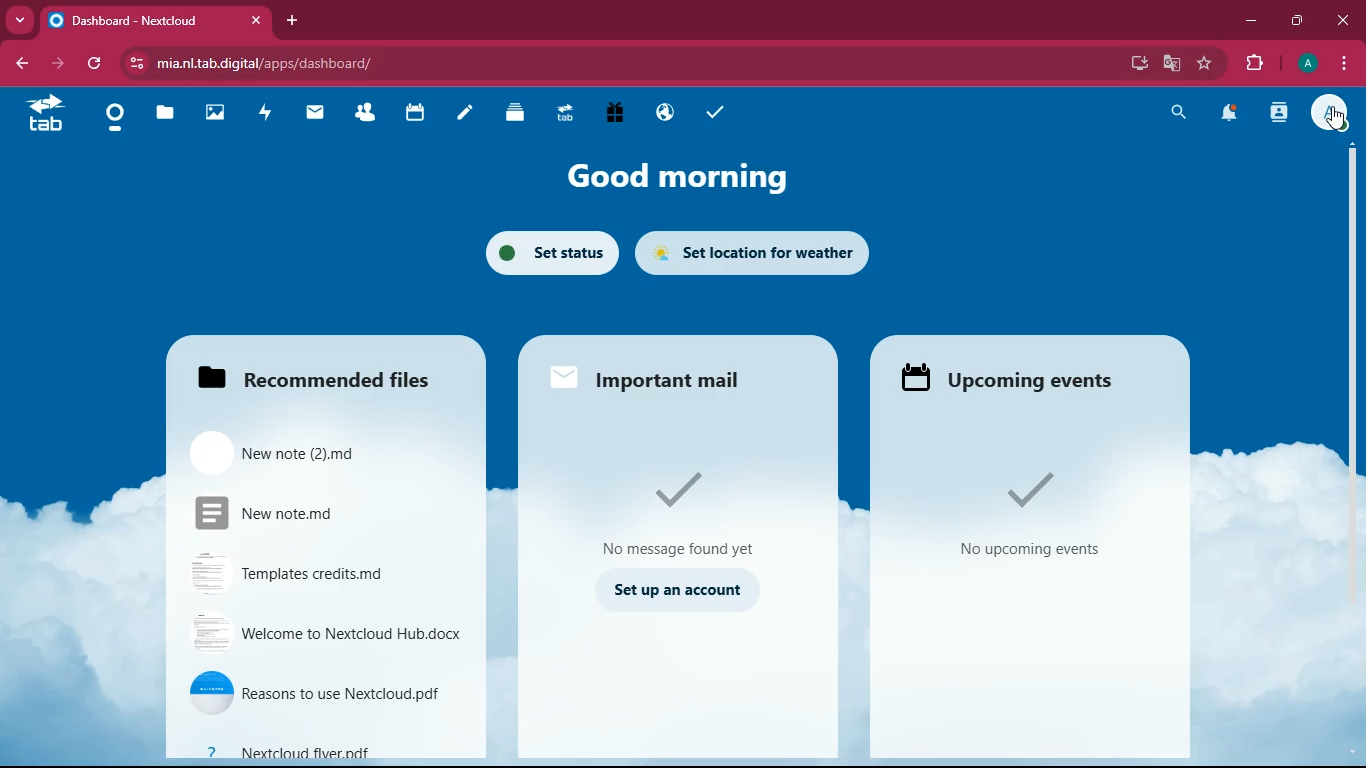 This screenshot has width=1366, height=768. What do you see at coordinates (306, 570) in the screenshot?
I see `file` at bounding box center [306, 570].